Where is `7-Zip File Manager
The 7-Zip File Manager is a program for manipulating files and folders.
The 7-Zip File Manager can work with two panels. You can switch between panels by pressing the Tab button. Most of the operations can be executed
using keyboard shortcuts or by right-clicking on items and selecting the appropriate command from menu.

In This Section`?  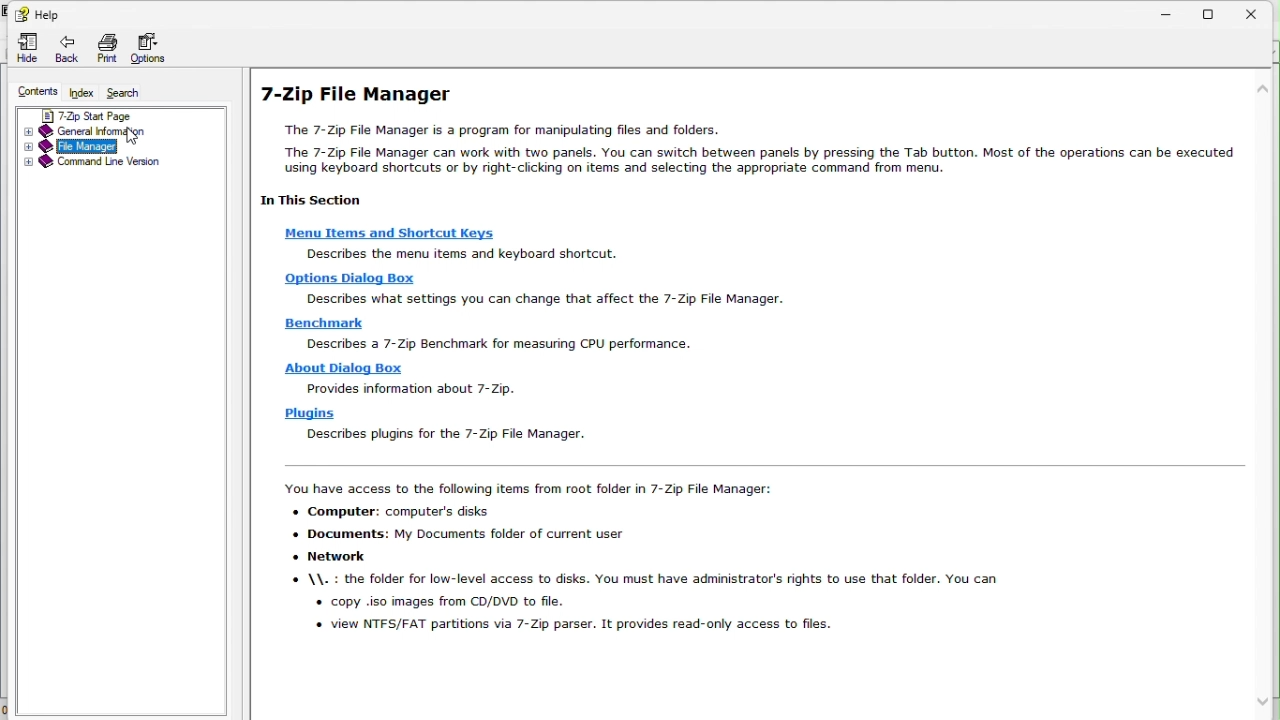 7-Zip File Manager
The 7-Zip File Manager is a program for manipulating files and folders.
The 7-Zip File Manager can work with two panels. You can switch between panels by pressing the Tab button. Most of the operations can be executed
using keyboard shortcuts or by right-clicking on items and selecting the appropriate command from menu.

In This Section is located at coordinates (746, 148).